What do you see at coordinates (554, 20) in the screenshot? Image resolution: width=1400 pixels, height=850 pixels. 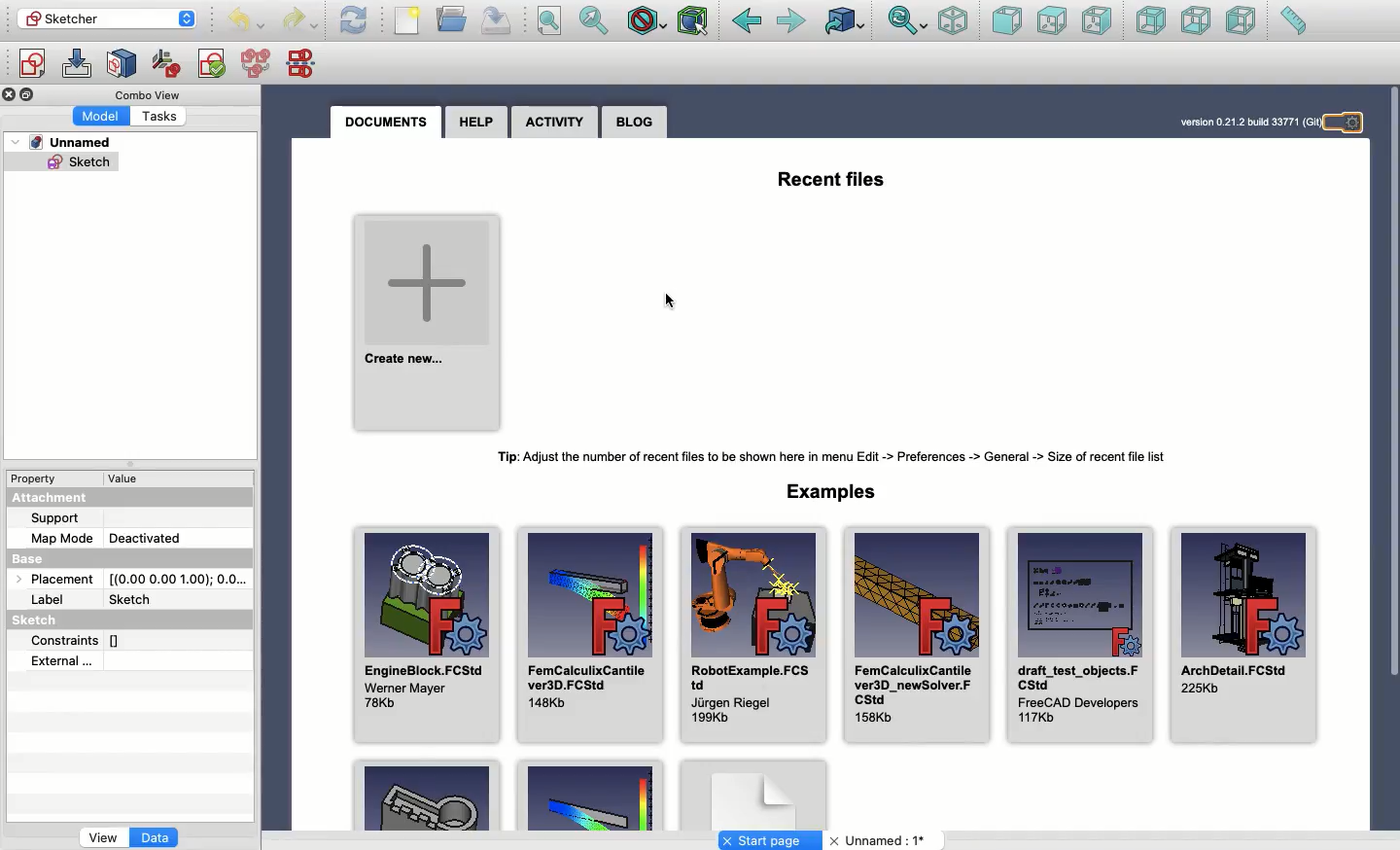 I see `Fit all` at bounding box center [554, 20].